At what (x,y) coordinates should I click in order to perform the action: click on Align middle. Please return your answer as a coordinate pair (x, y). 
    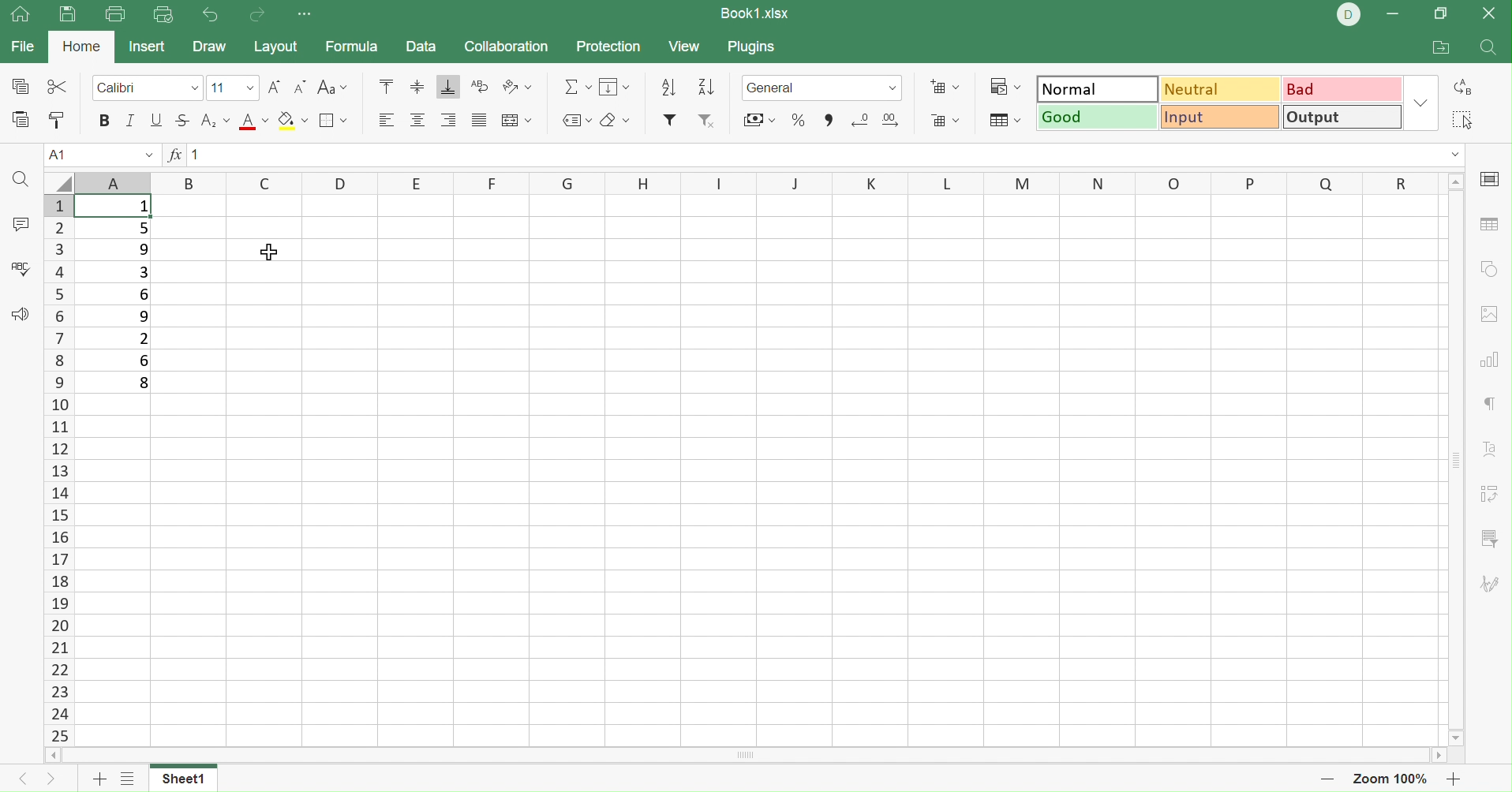
    Looking at the image, I should click on (421, 121).